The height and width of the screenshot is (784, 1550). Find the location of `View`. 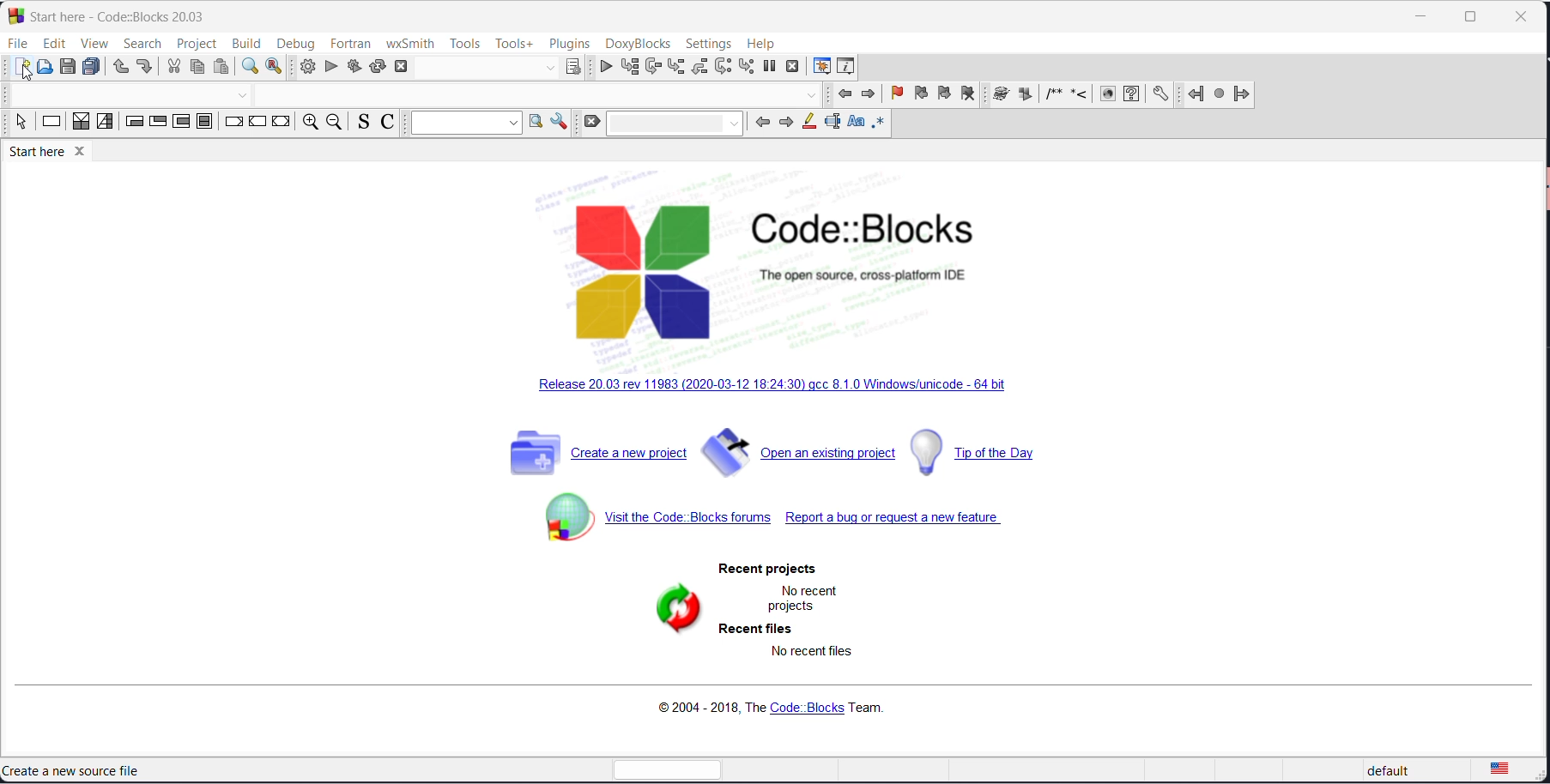

View is located at coordinates (94, 43).